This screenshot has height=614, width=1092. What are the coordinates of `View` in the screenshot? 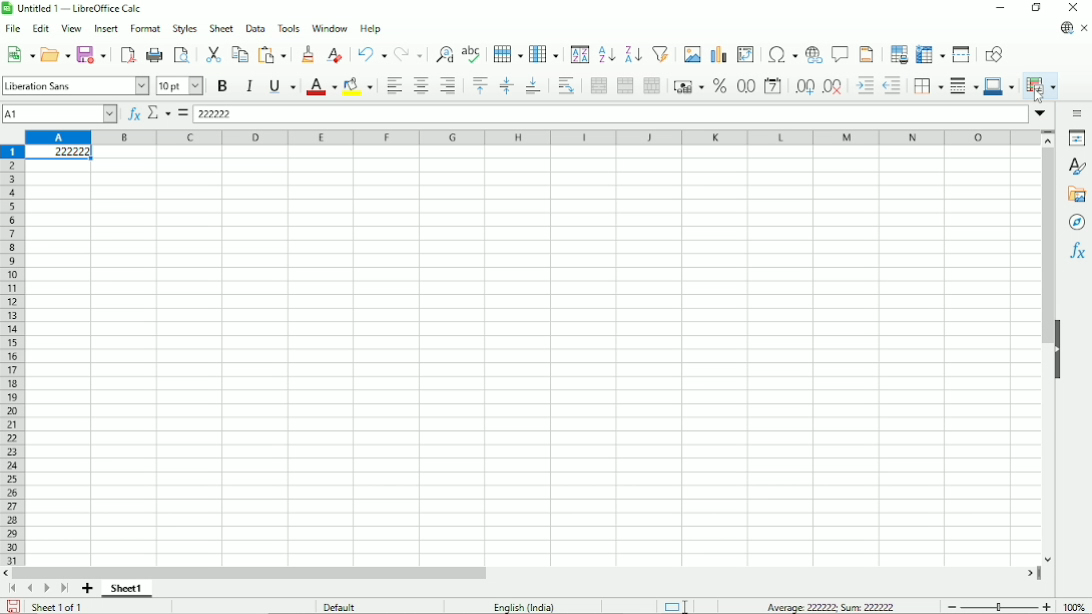 It's located at (71, 28).